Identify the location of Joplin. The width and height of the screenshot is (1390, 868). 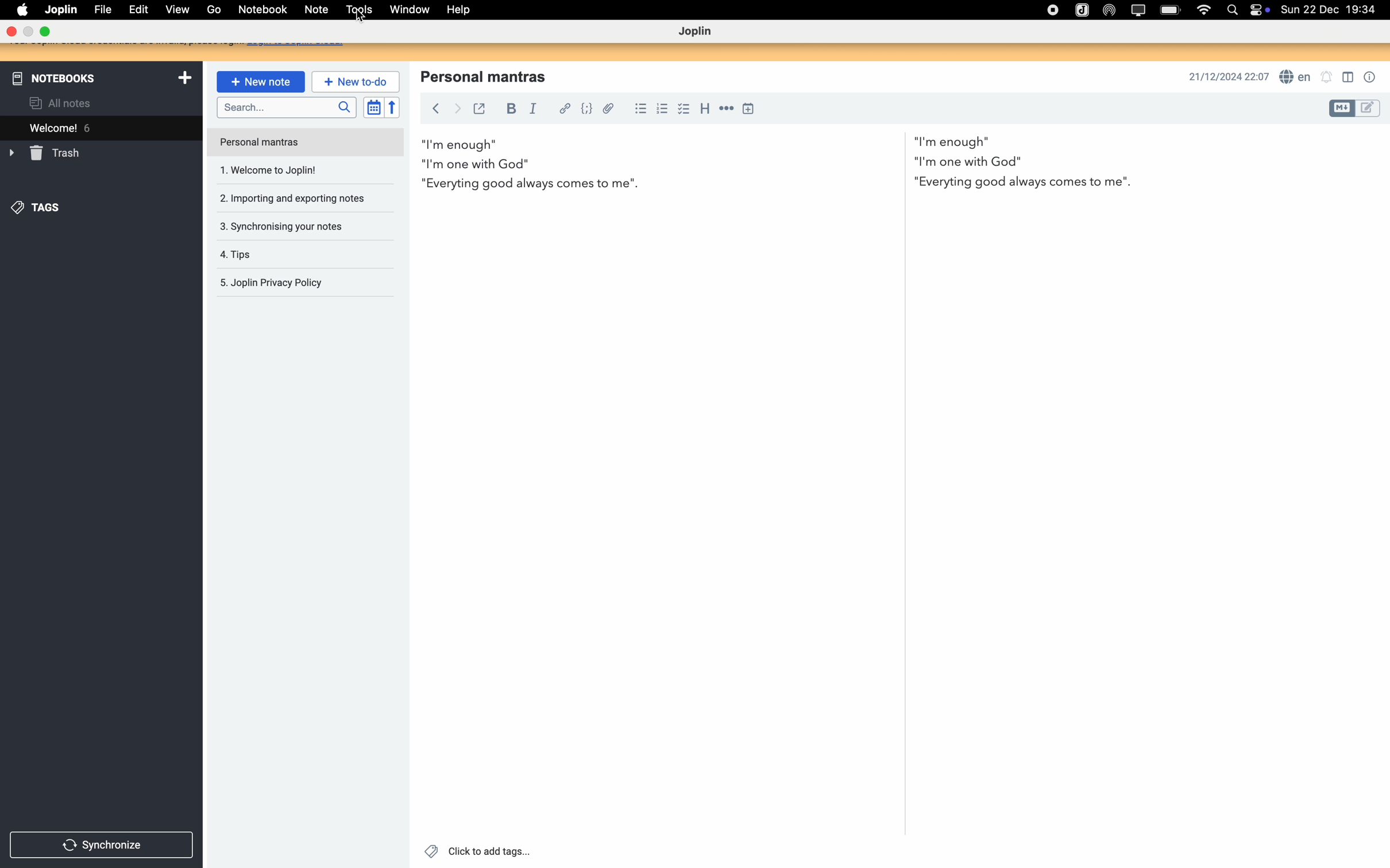
(61, 9).